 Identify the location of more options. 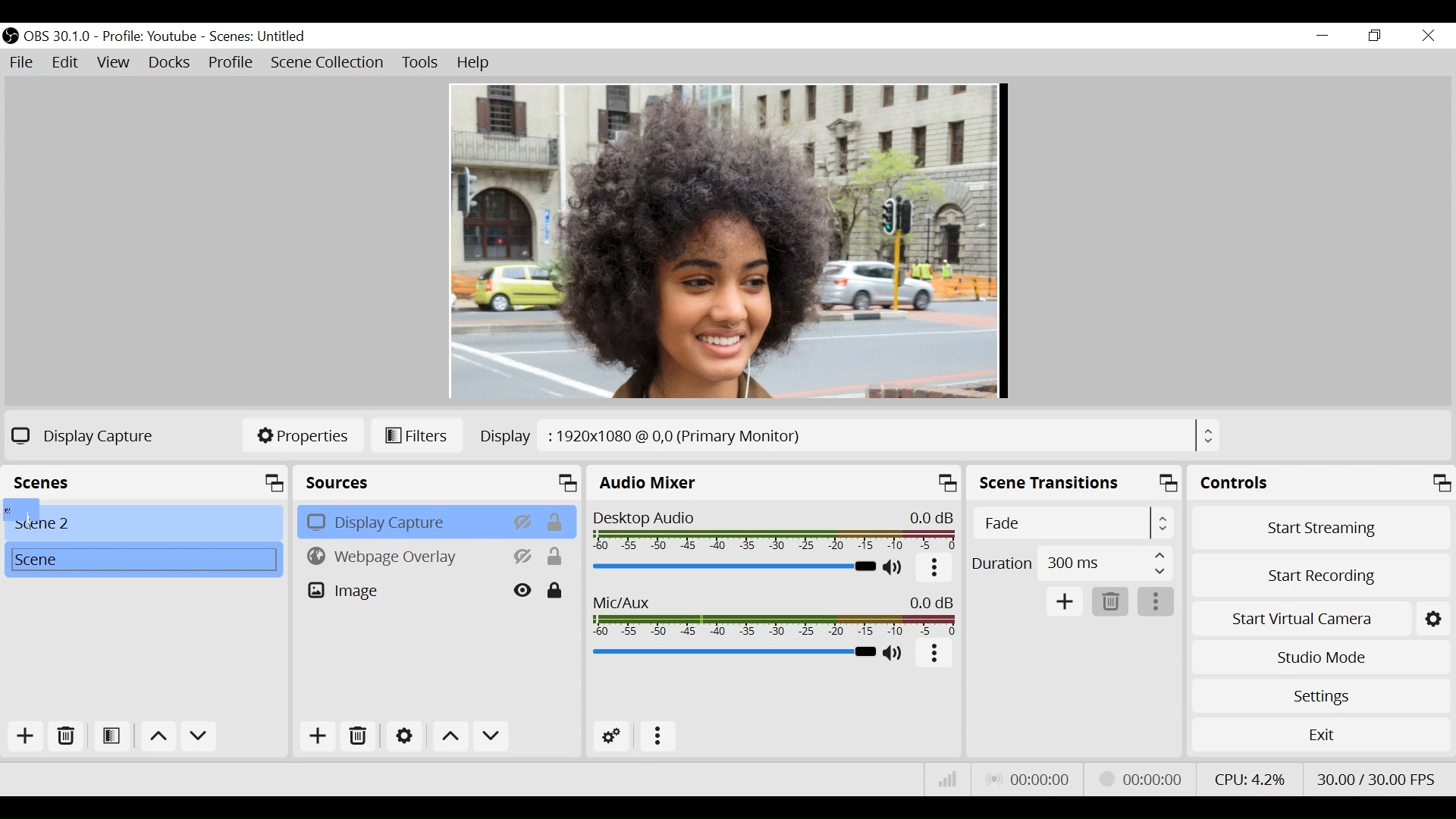
(654, 735).